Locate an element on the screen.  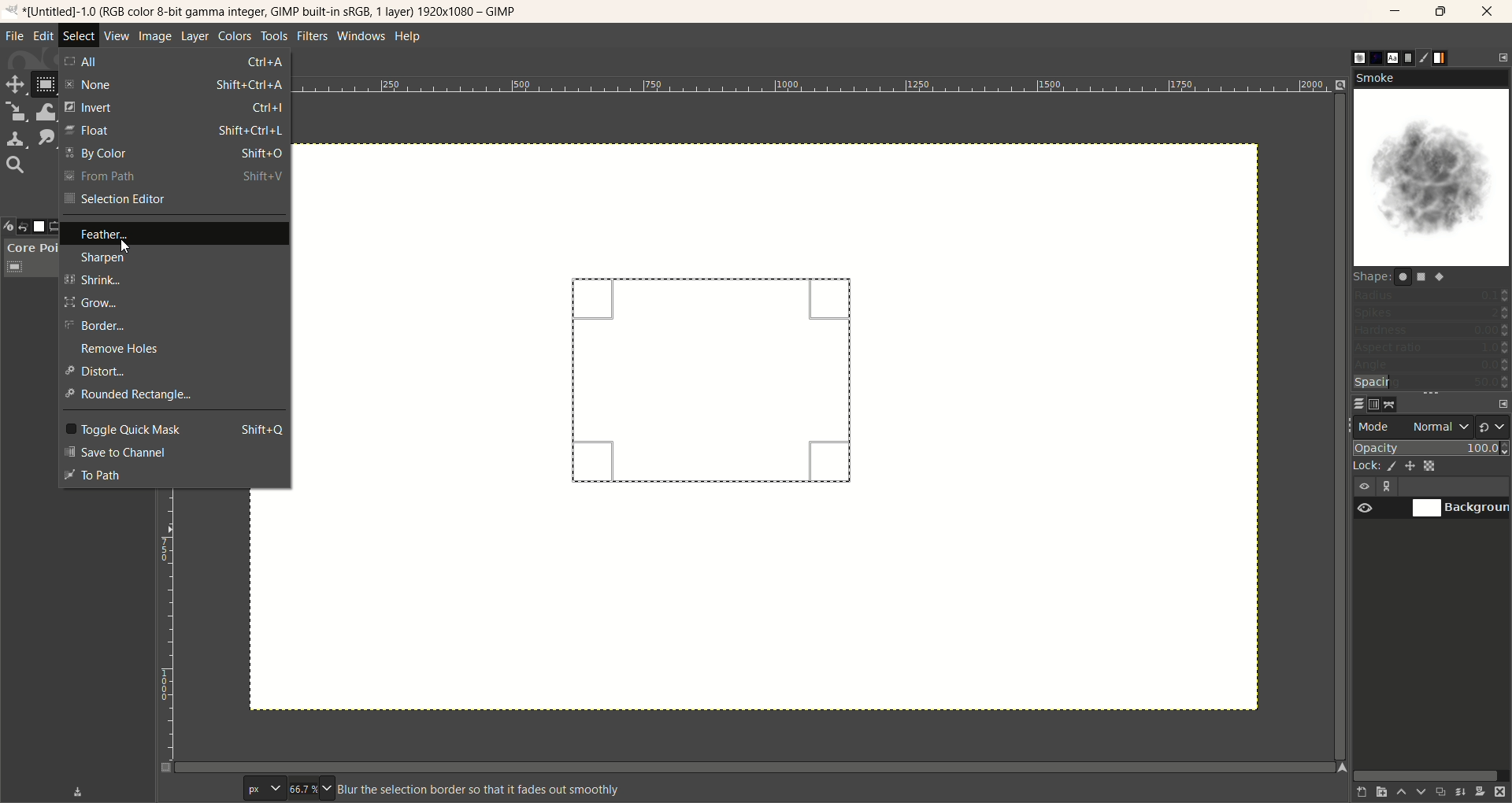
channel is located at coordinates (1377, 405).